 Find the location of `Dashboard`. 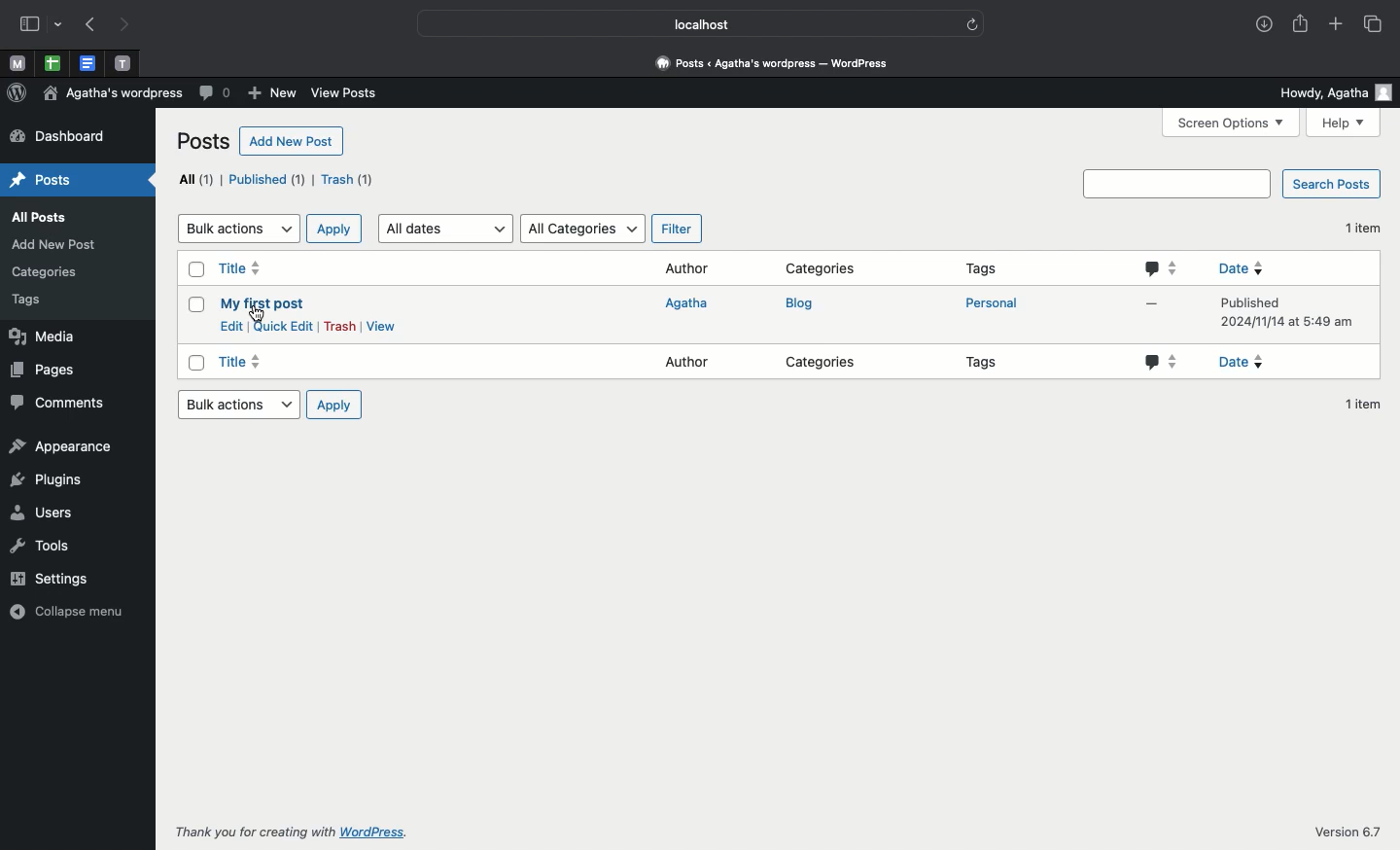

Dashboard is located at coordinates (779, 62).